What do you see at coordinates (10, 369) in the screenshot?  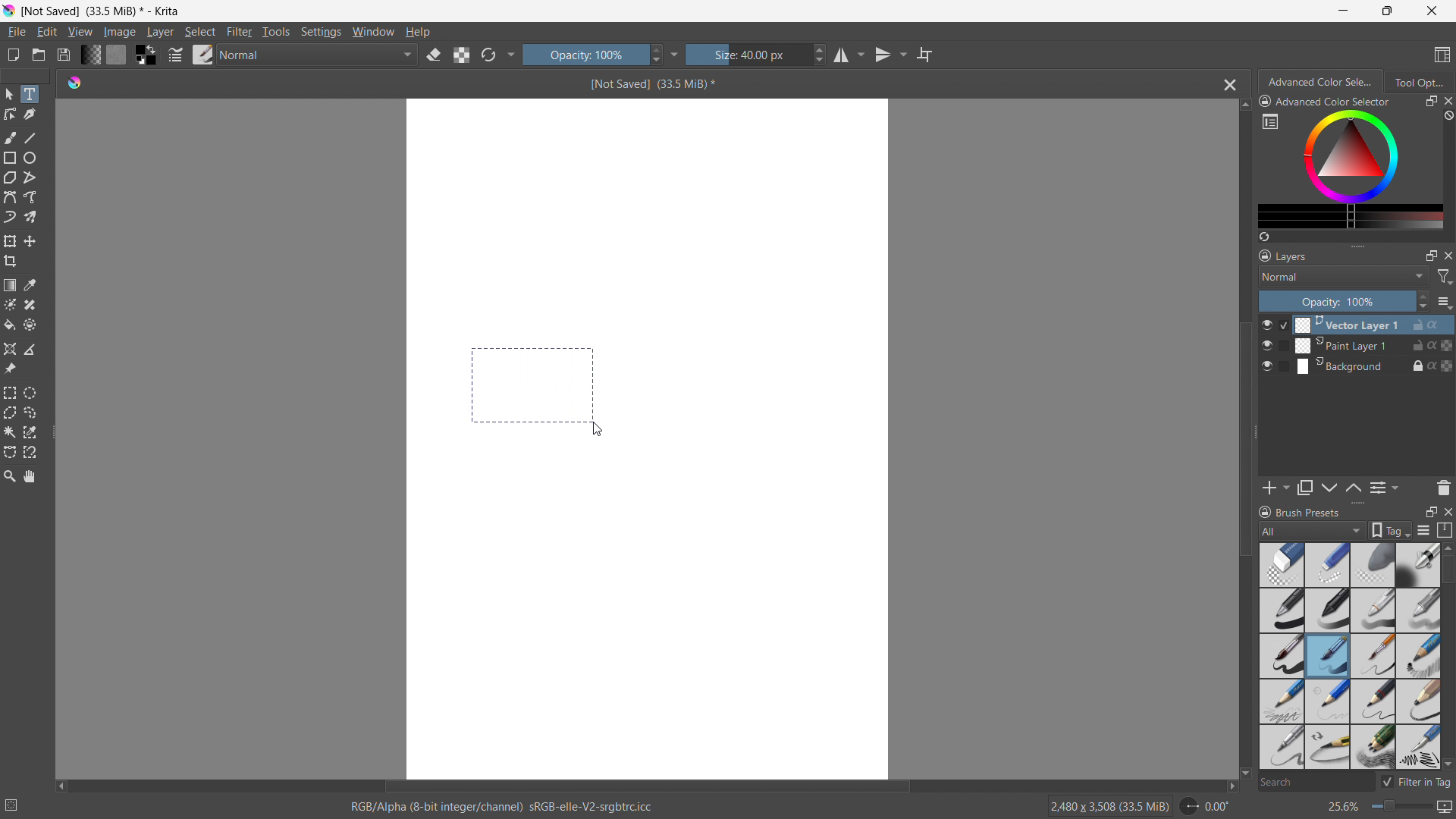 I see `reference images tool` at bounding box center [10, 369].